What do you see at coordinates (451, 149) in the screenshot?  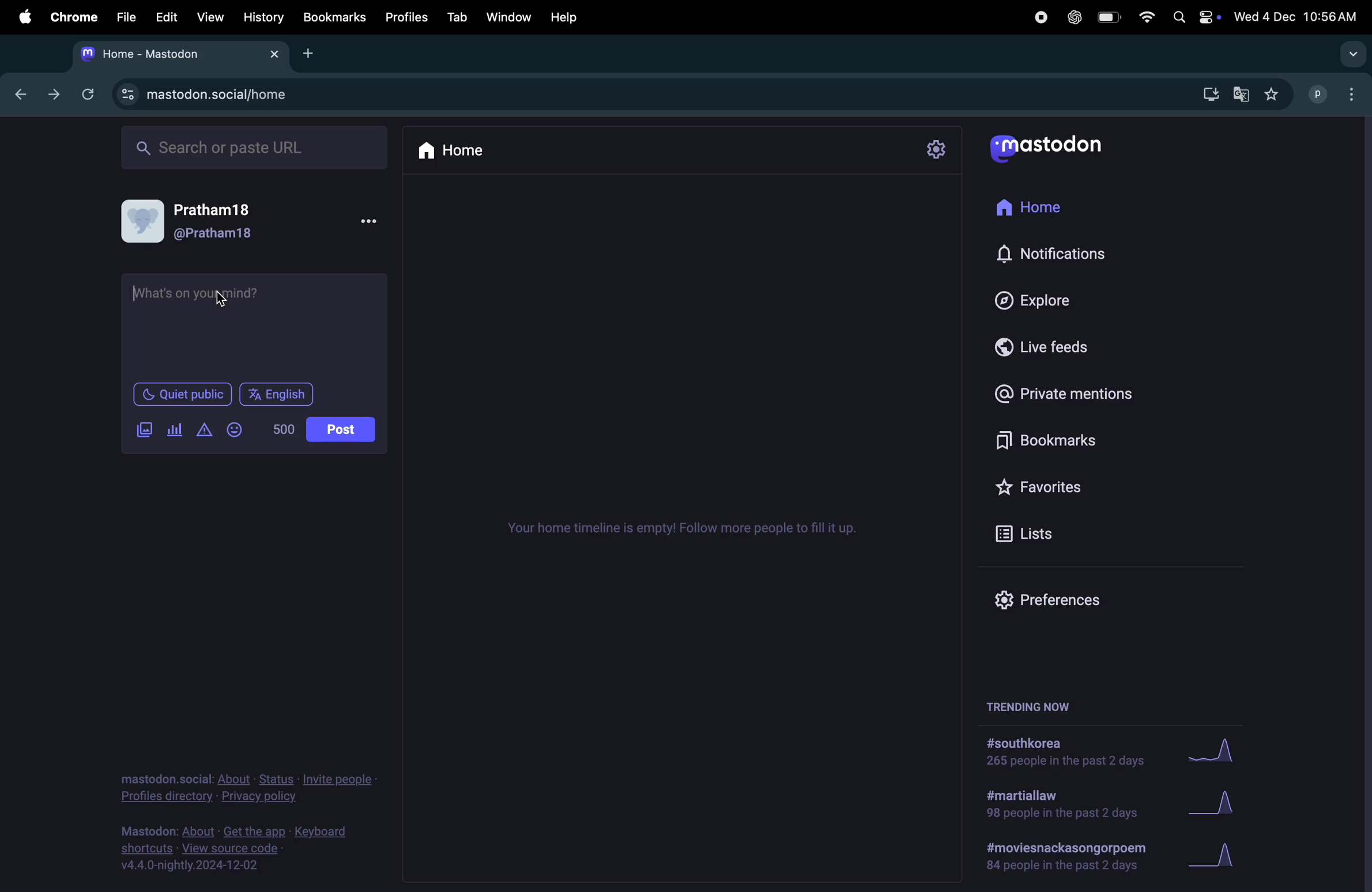 I see `Home` at bounding box center [451, 149].